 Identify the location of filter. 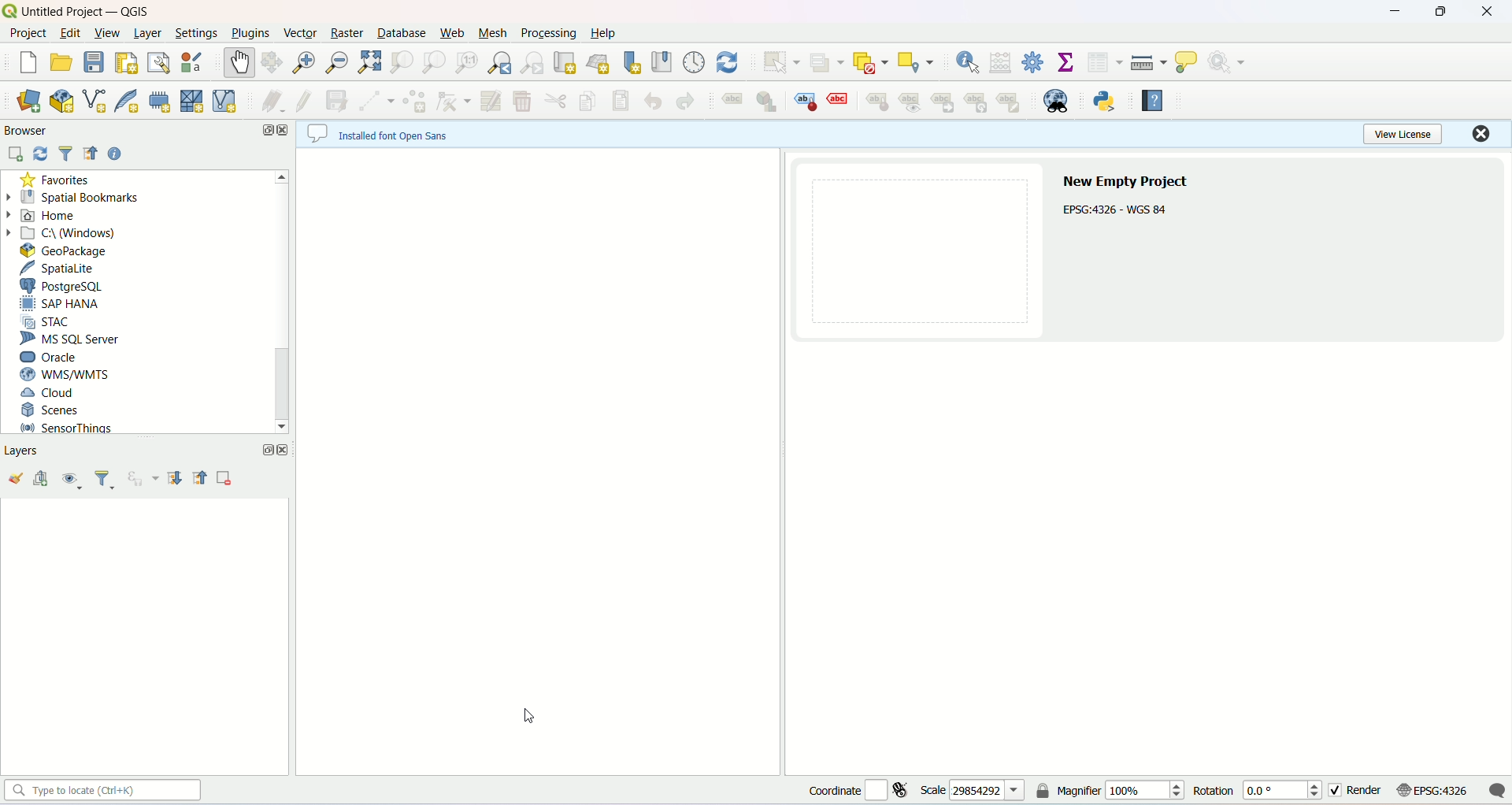
(66, 153).